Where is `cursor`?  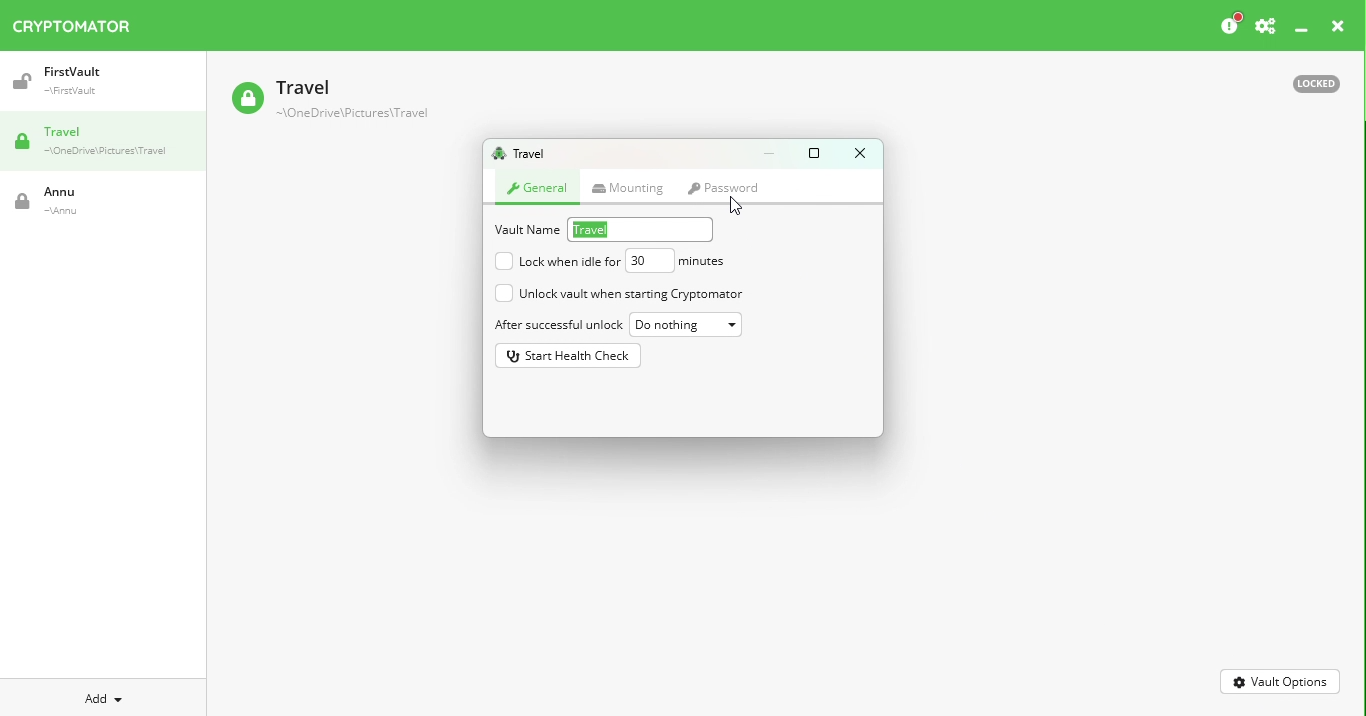 cursor is located at coordinates (737, 207).